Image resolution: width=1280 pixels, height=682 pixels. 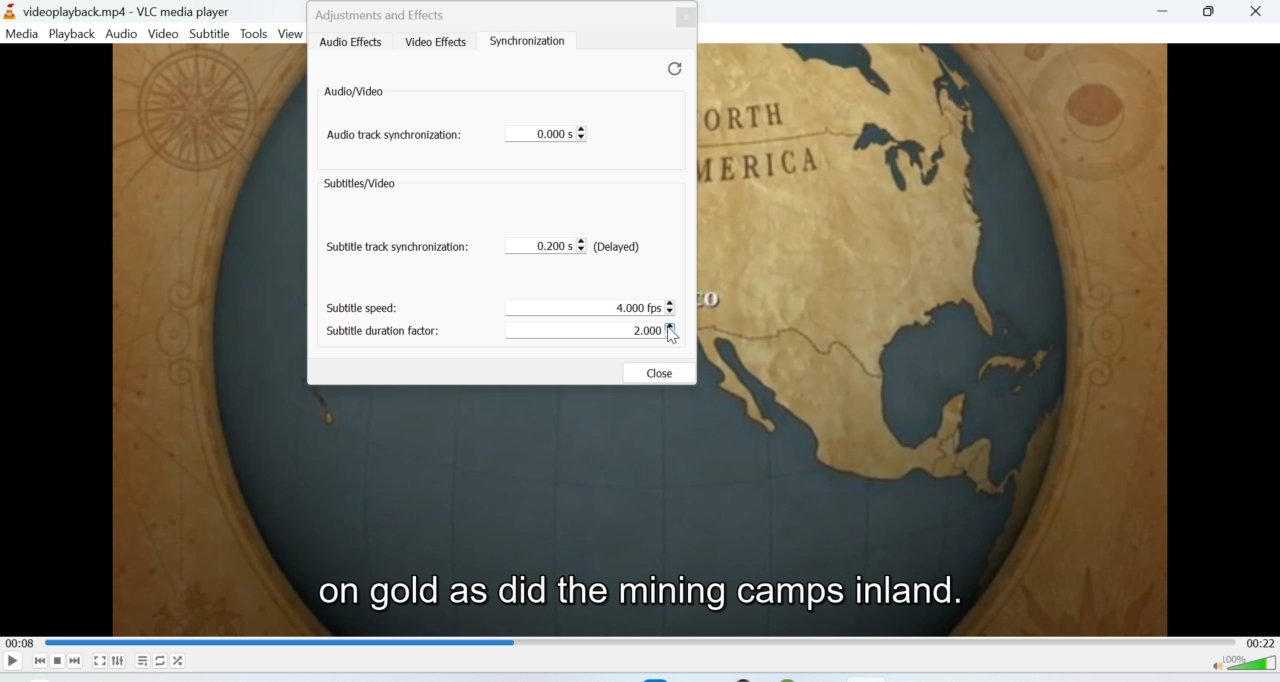 What do you see at coordinates (366, 308) in the screenshot?
I see `subtitle speed:` at bounding box center [366, 308].